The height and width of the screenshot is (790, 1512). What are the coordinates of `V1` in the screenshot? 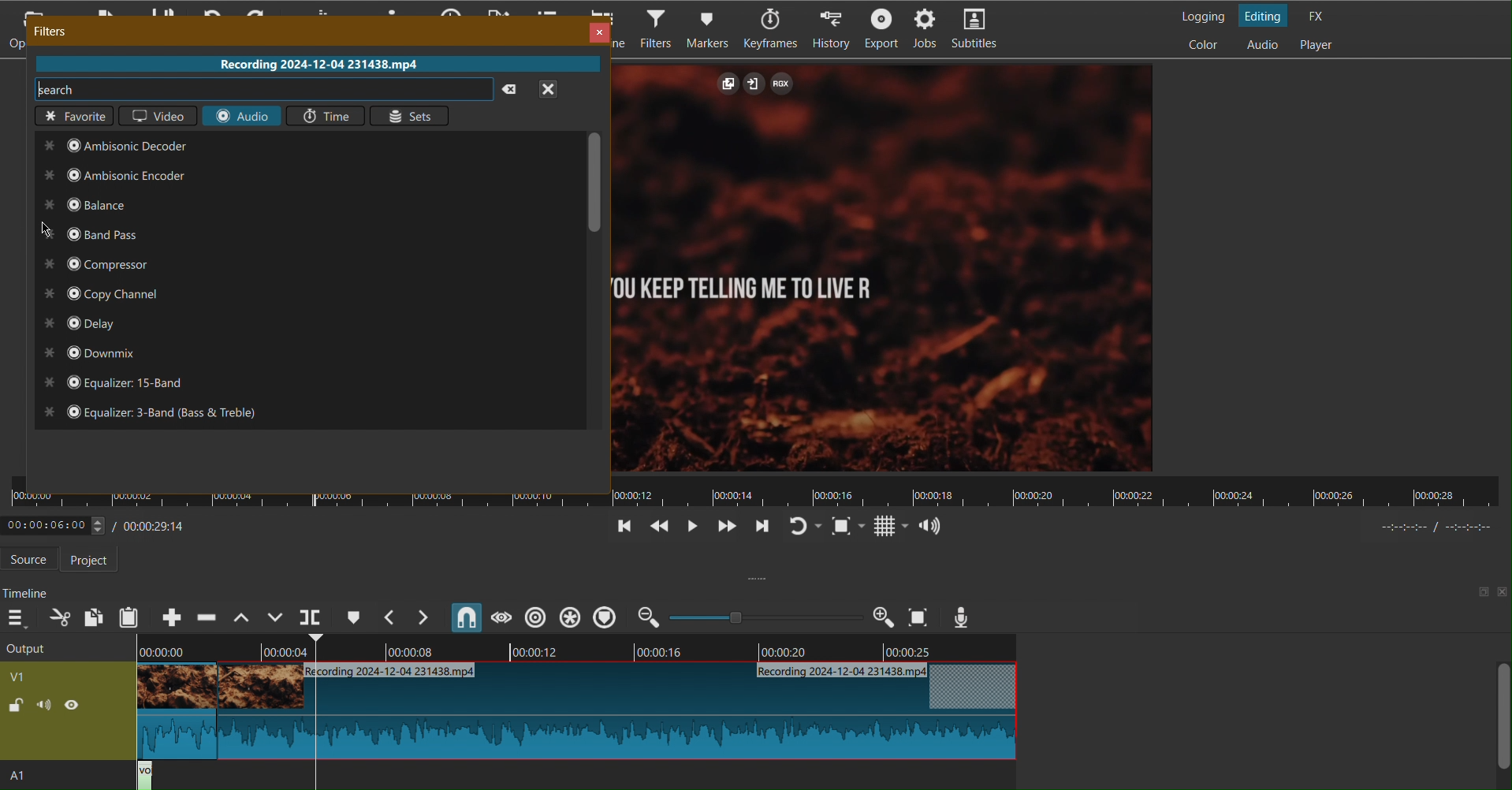 It's located at (44, 674).